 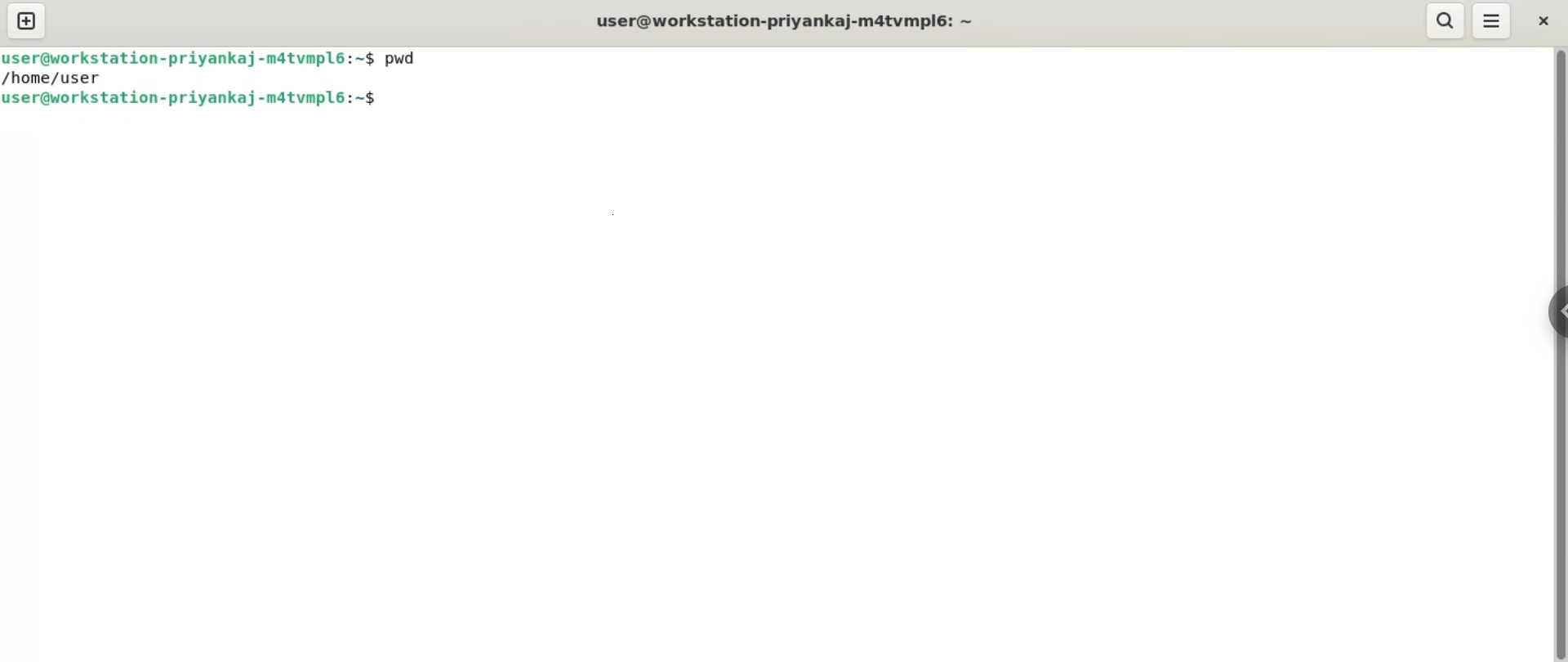 I want to click on verical scroll bar, so click(x=1558, y=353).